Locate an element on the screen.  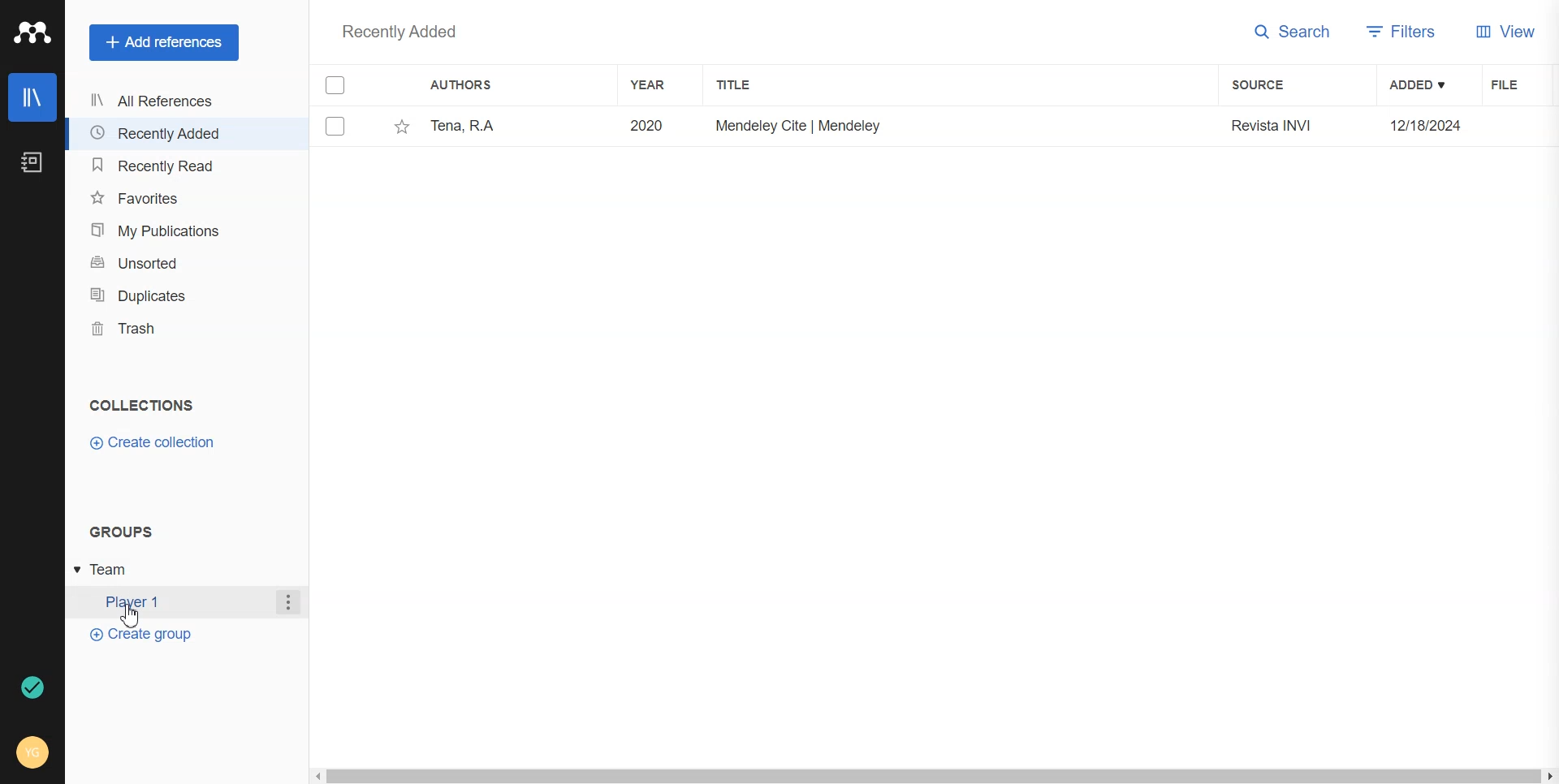
More is located at coordinates (288, 603).